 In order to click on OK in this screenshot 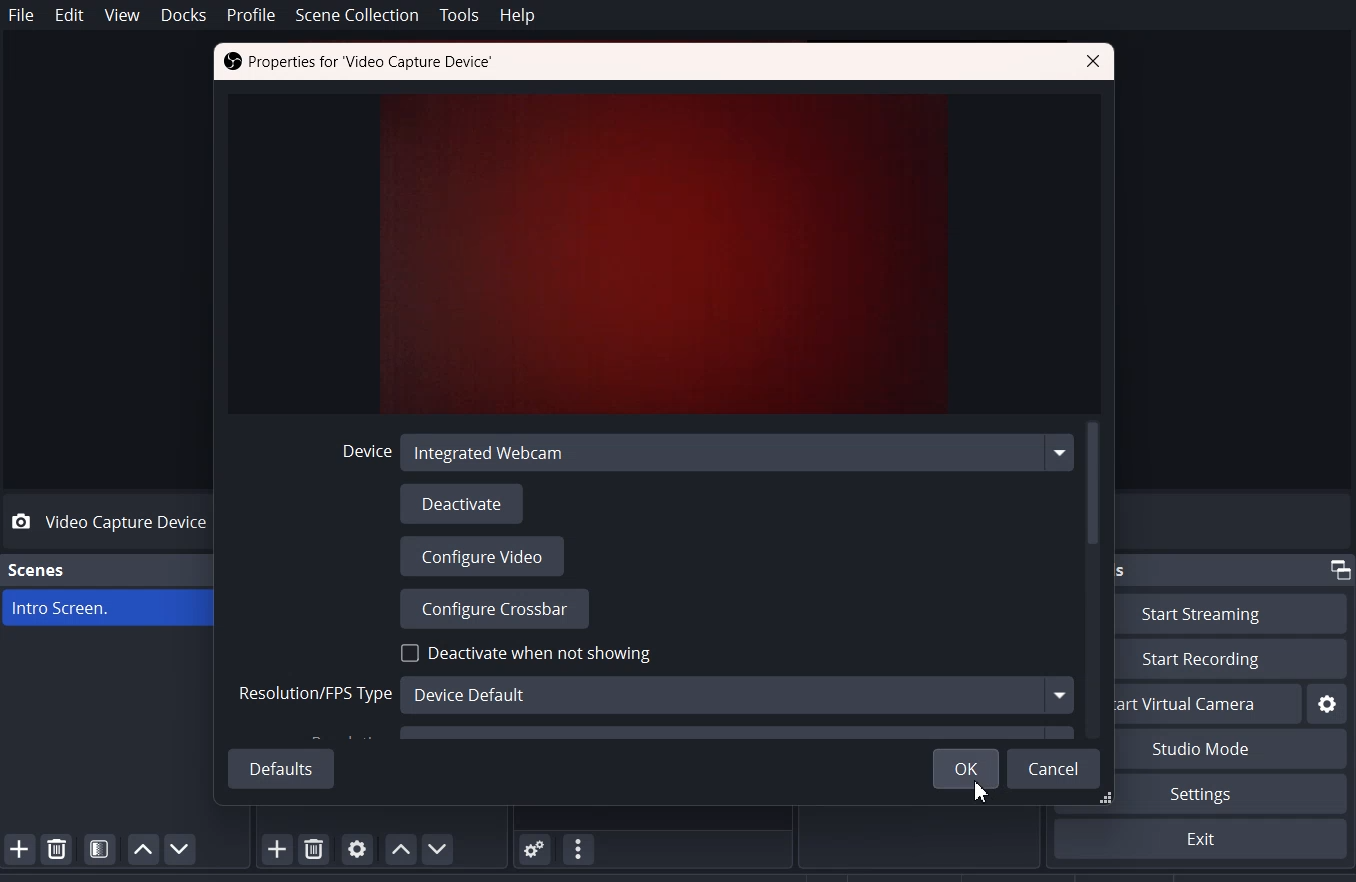, I will do `click(963, 768)`.